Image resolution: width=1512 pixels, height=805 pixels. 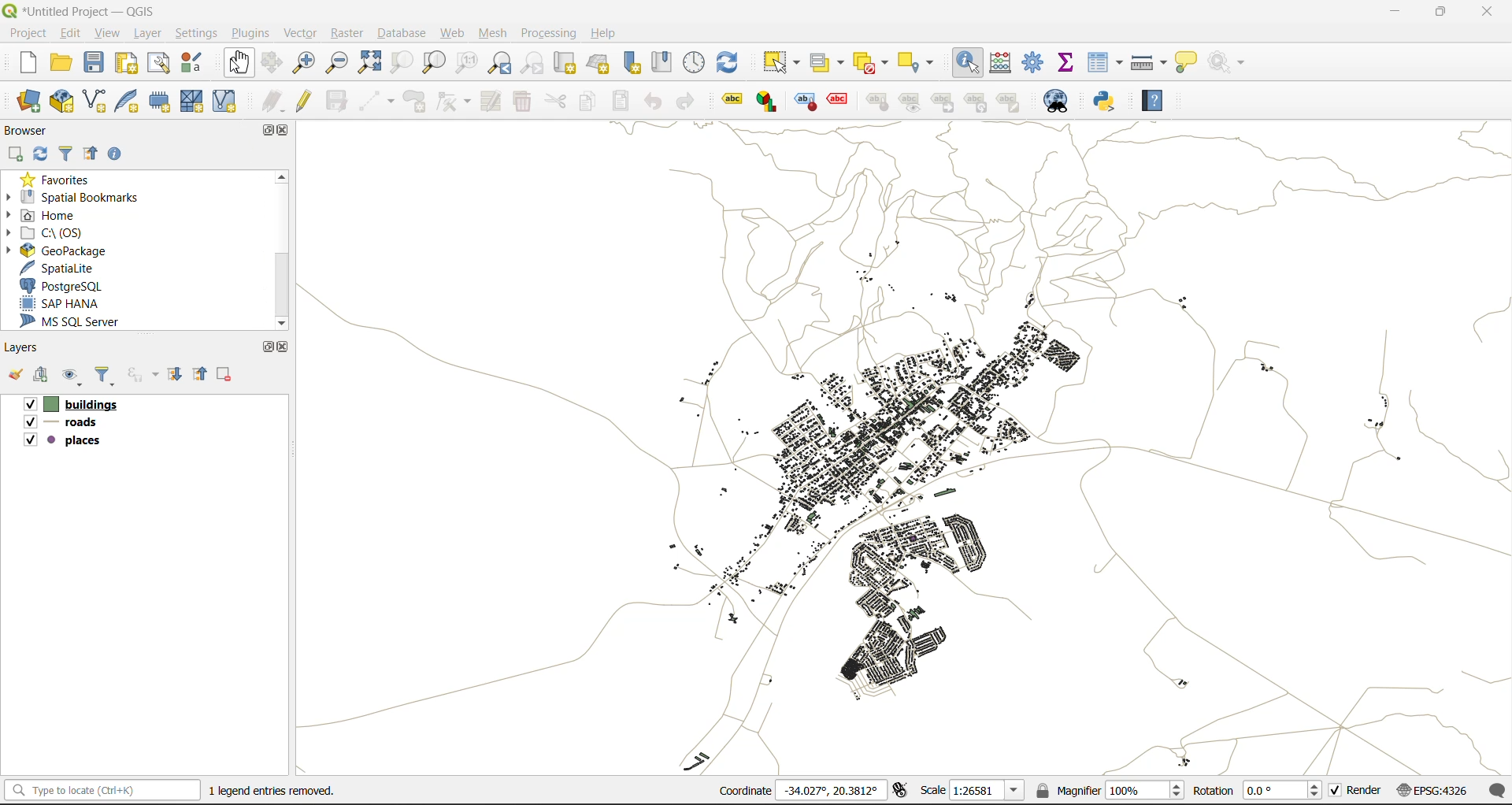 What do you see at coordinates (400, 31) in the screenshot?
I see `database` at bounding box center [400, 31].